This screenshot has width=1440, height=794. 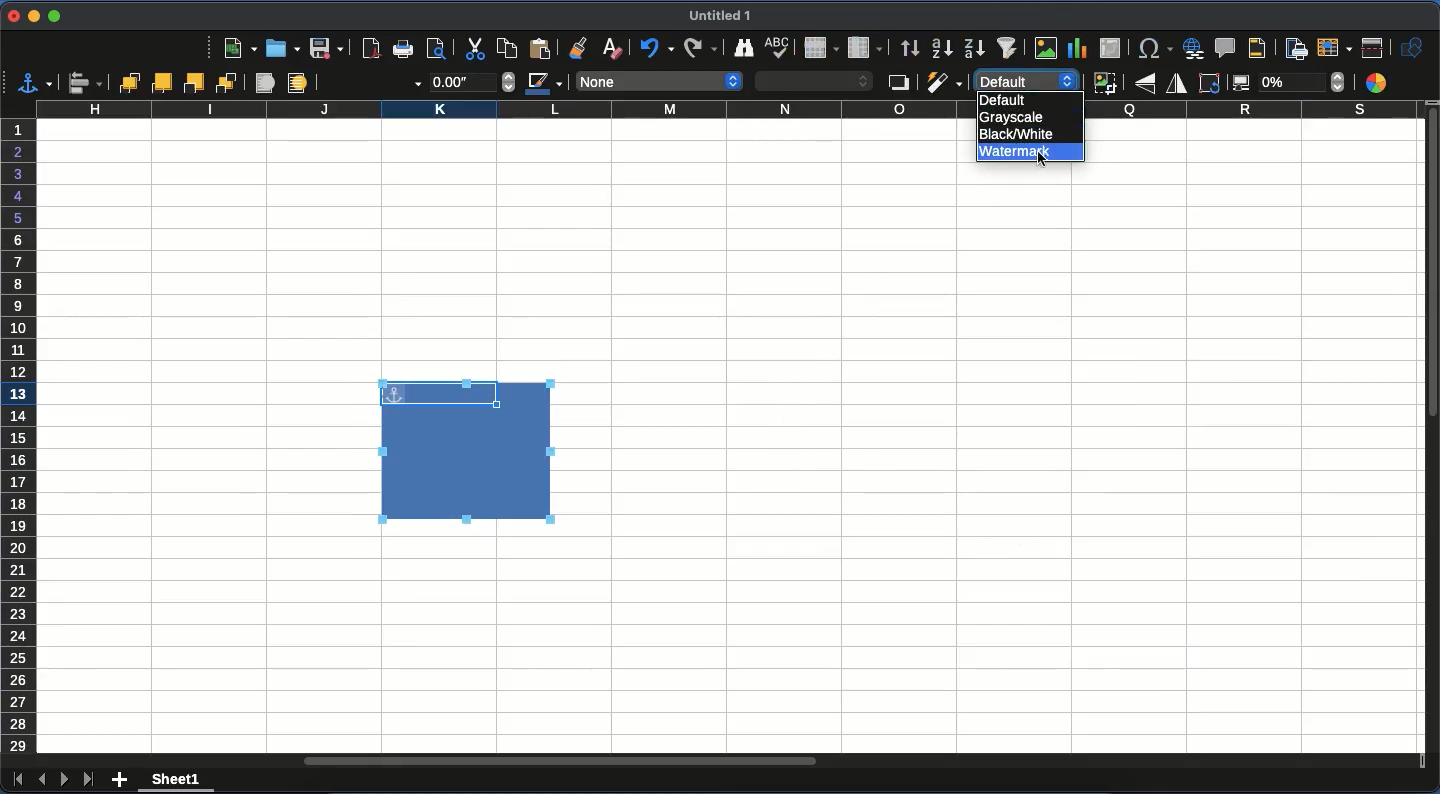 What do you see at coordinates (472, 81) in the screenshot?
I see `thickness` at bounding box center [472, 81].